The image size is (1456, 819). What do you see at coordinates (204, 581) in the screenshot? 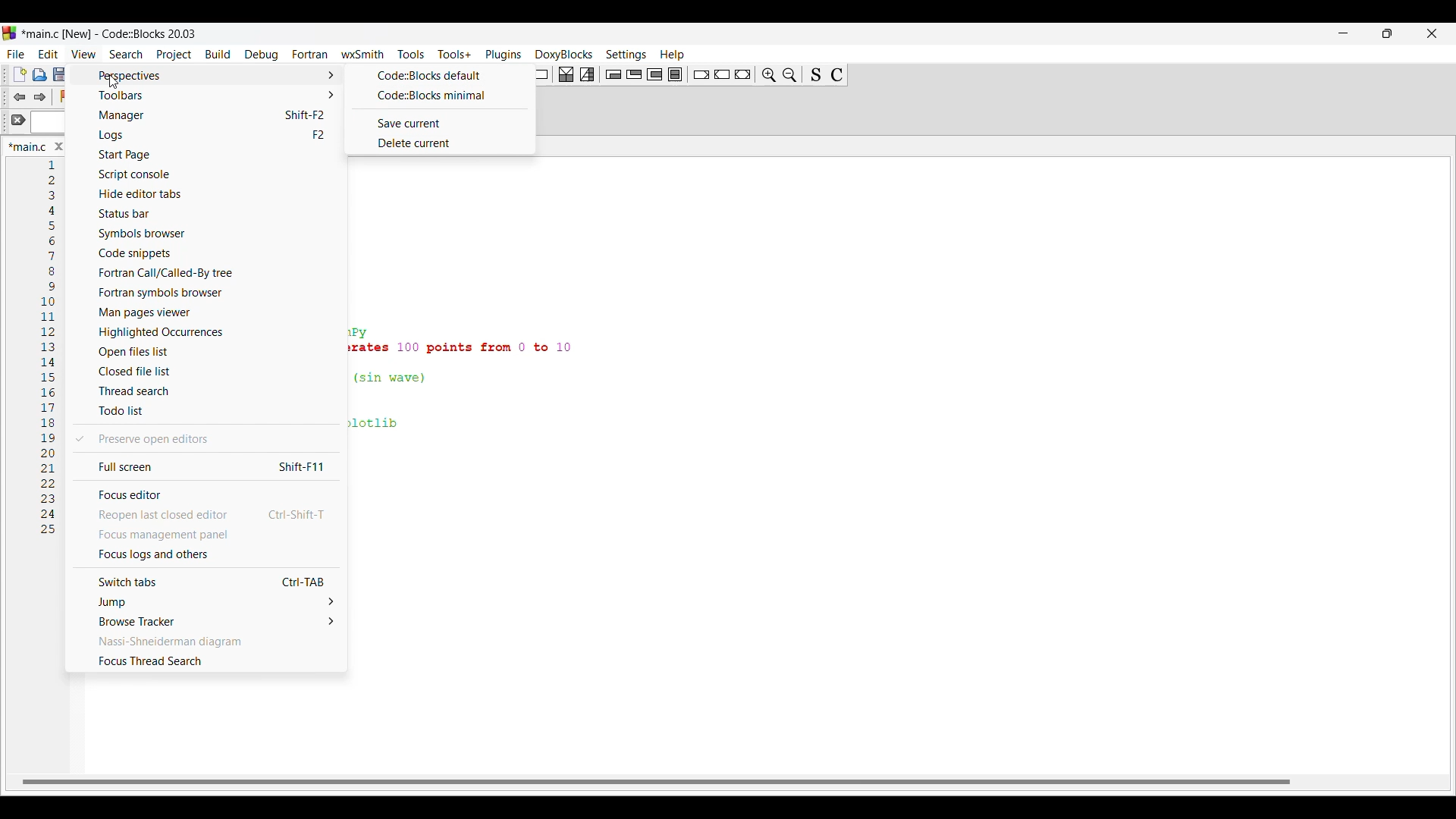
I see `Switch tabs` at bounding box center [204, 581].